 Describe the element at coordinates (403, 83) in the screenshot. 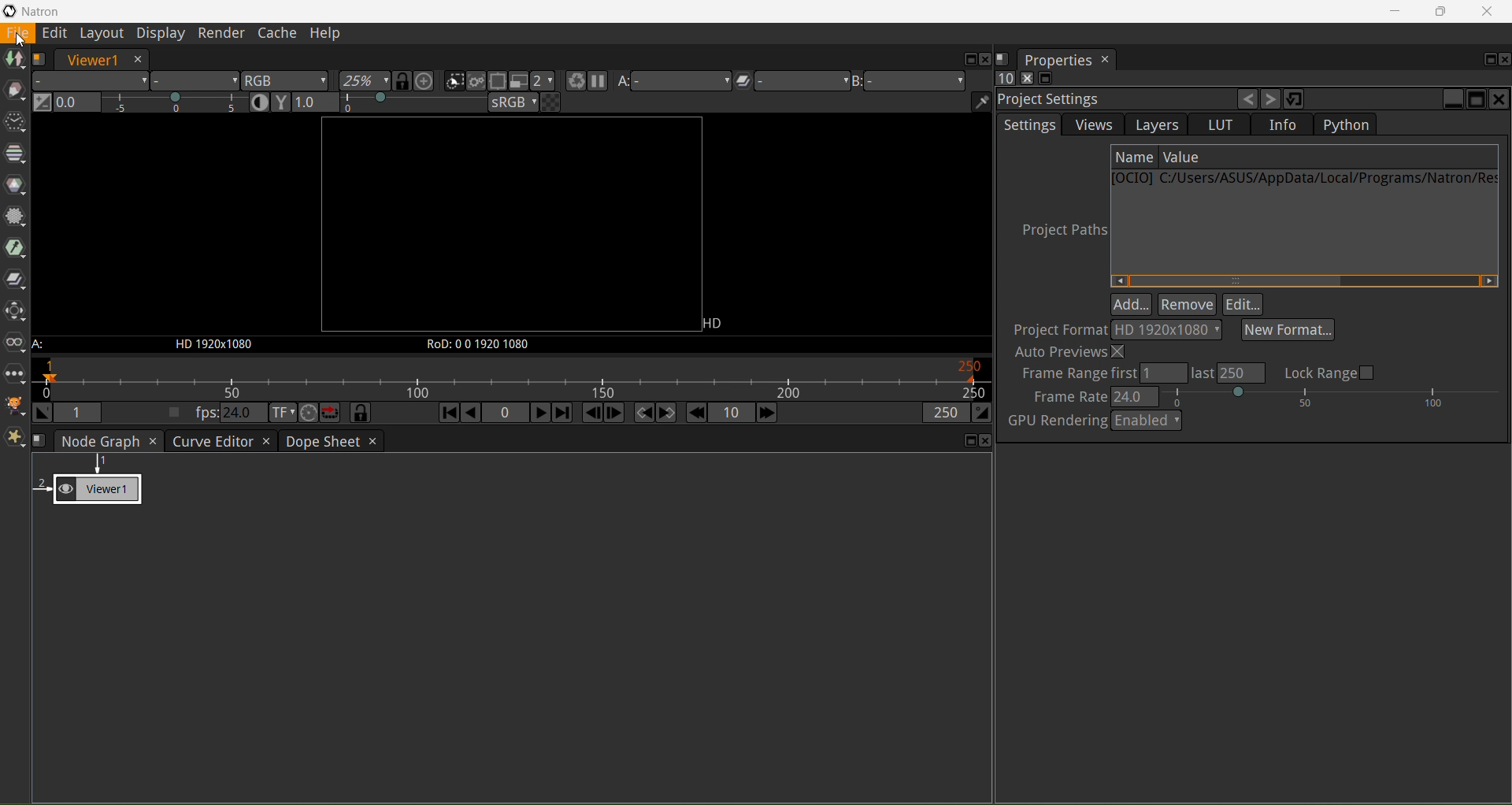

I see `When enabled, all viewers will be synchronied to the same portion of the image in the viewport` at that location.